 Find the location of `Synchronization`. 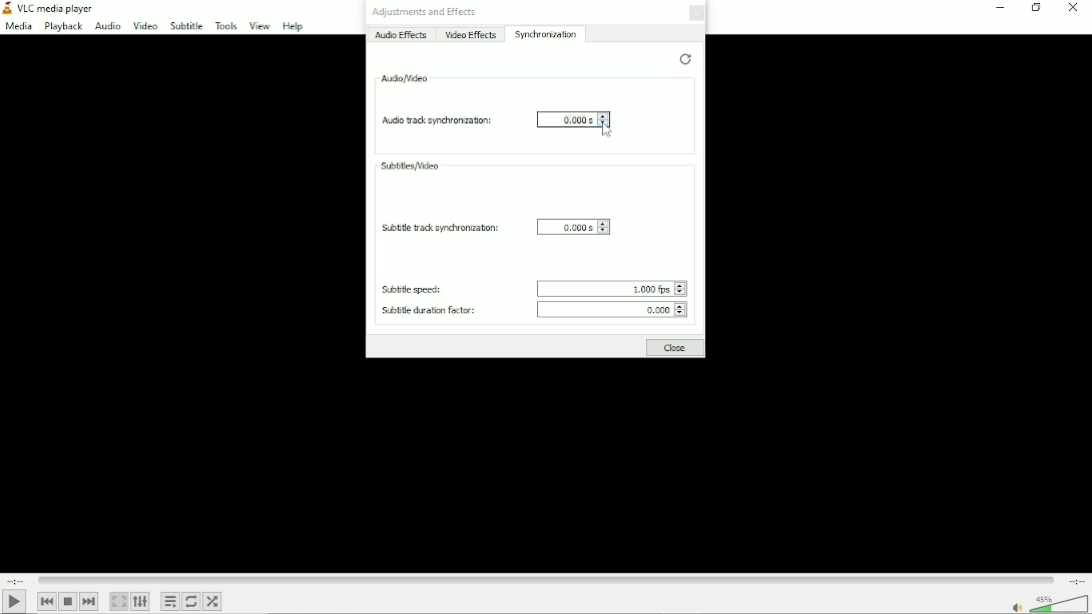

Synchronization is located at coordinates (547, 34).